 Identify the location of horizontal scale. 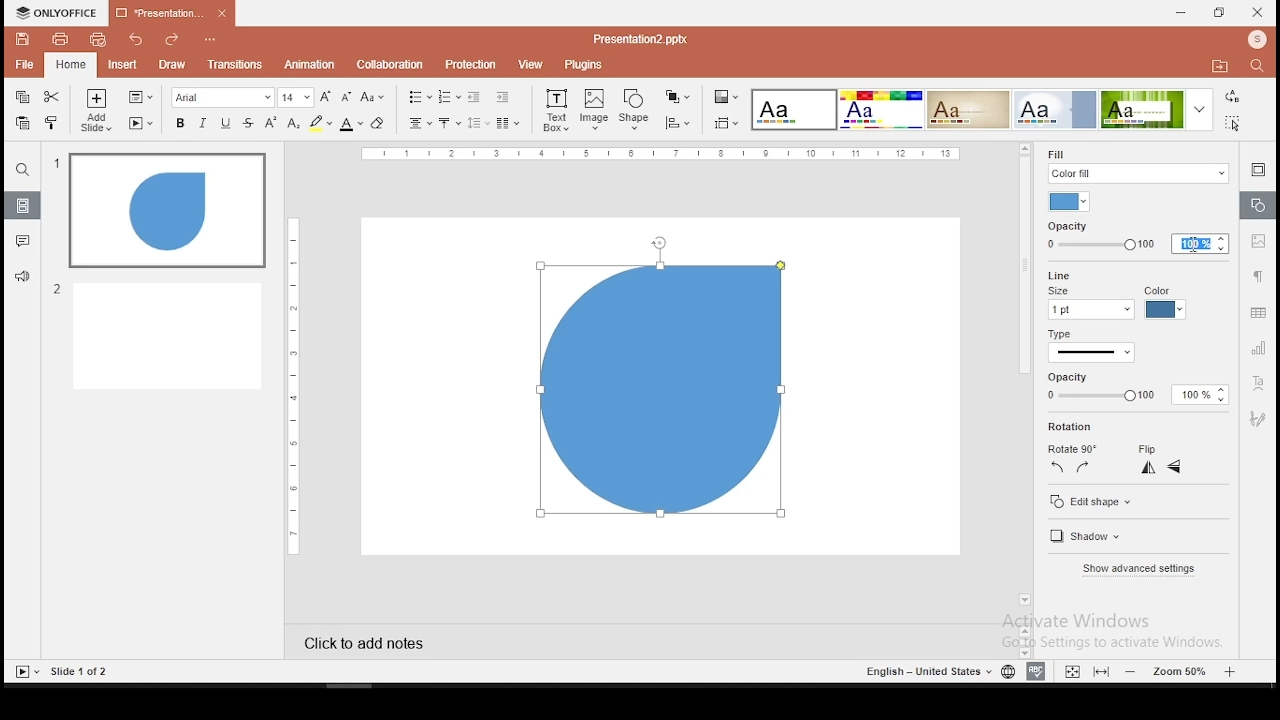
(664, 153).